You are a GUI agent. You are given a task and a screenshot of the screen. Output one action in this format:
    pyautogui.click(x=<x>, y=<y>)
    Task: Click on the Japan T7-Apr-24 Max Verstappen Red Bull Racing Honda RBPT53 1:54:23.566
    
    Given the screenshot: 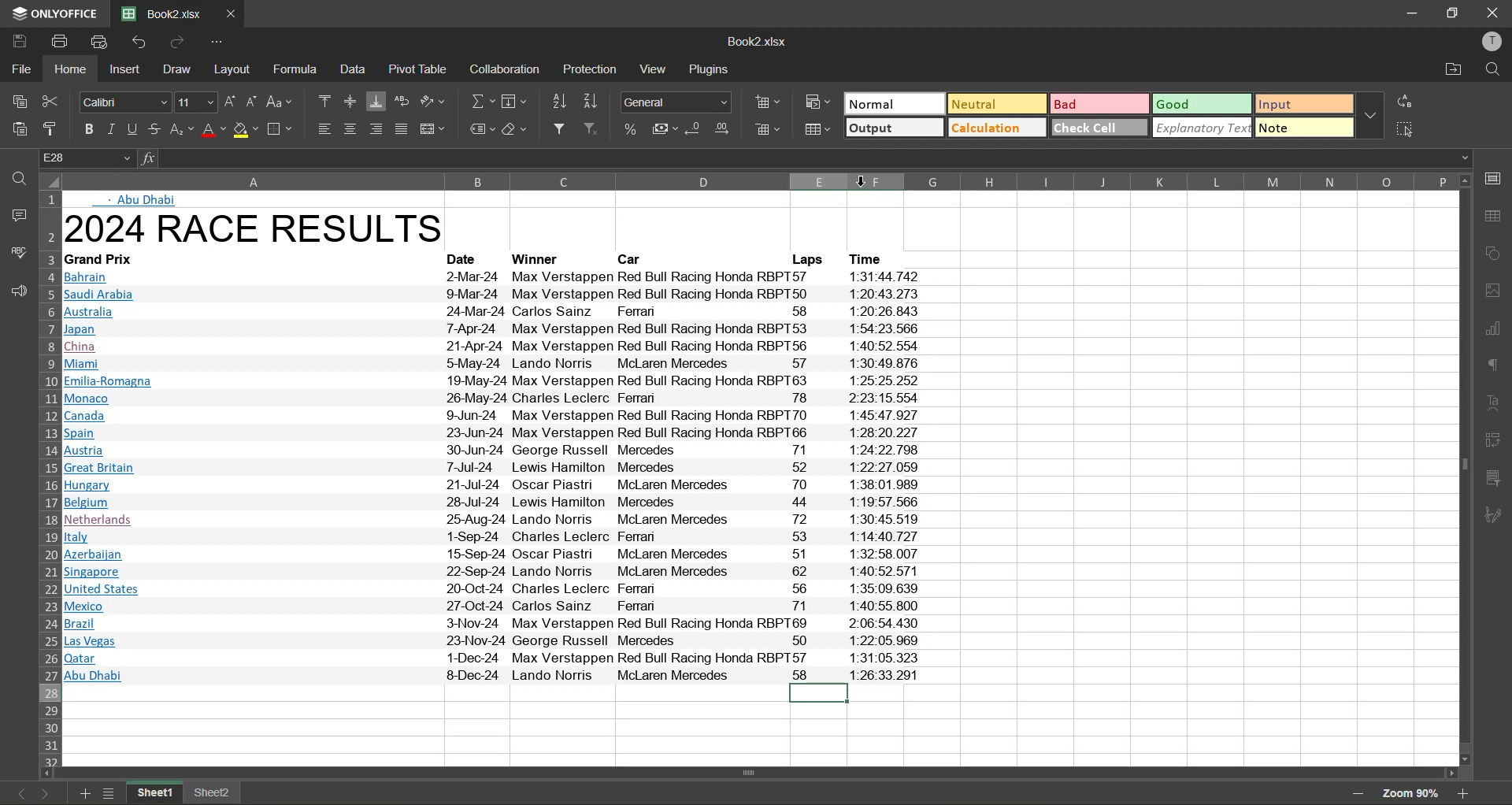 What is the action you would take?
    pyautogui.click(x=493, y=328)
    